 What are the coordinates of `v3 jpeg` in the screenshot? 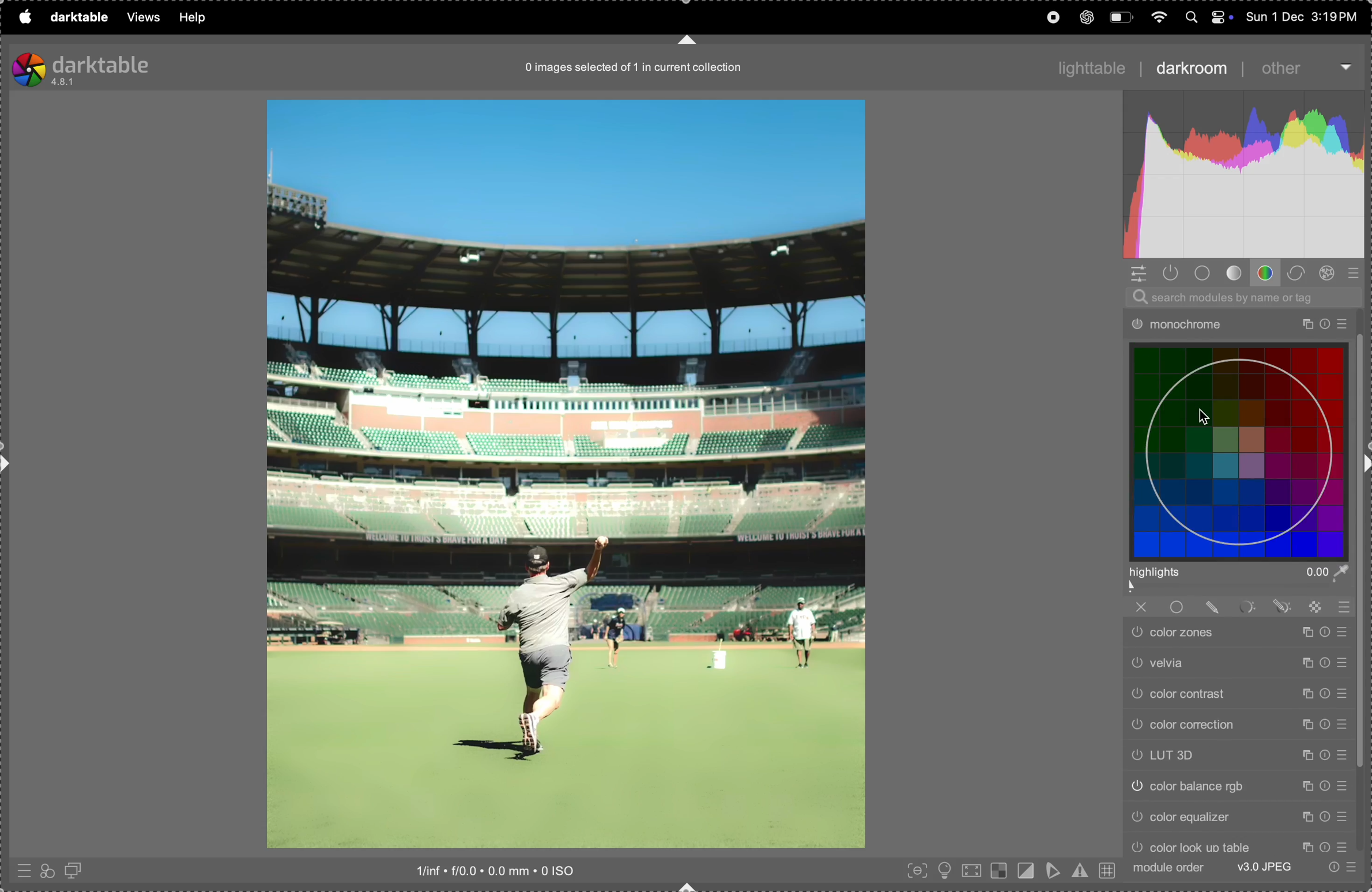 It's located at (1262, 867).